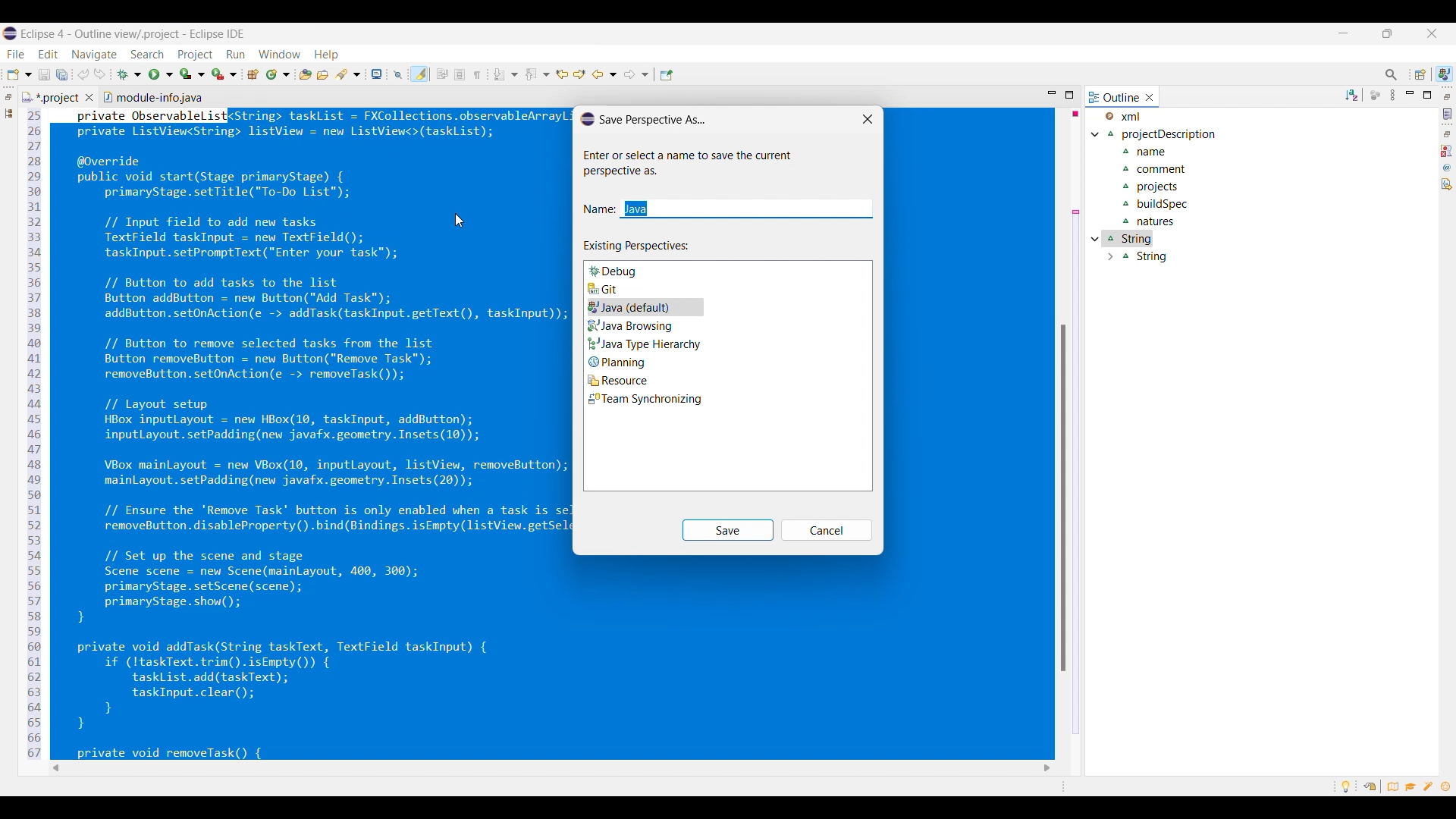 The width and height of the screenshot is (1456, 819). I want to click on Window title, so click(653, 120).